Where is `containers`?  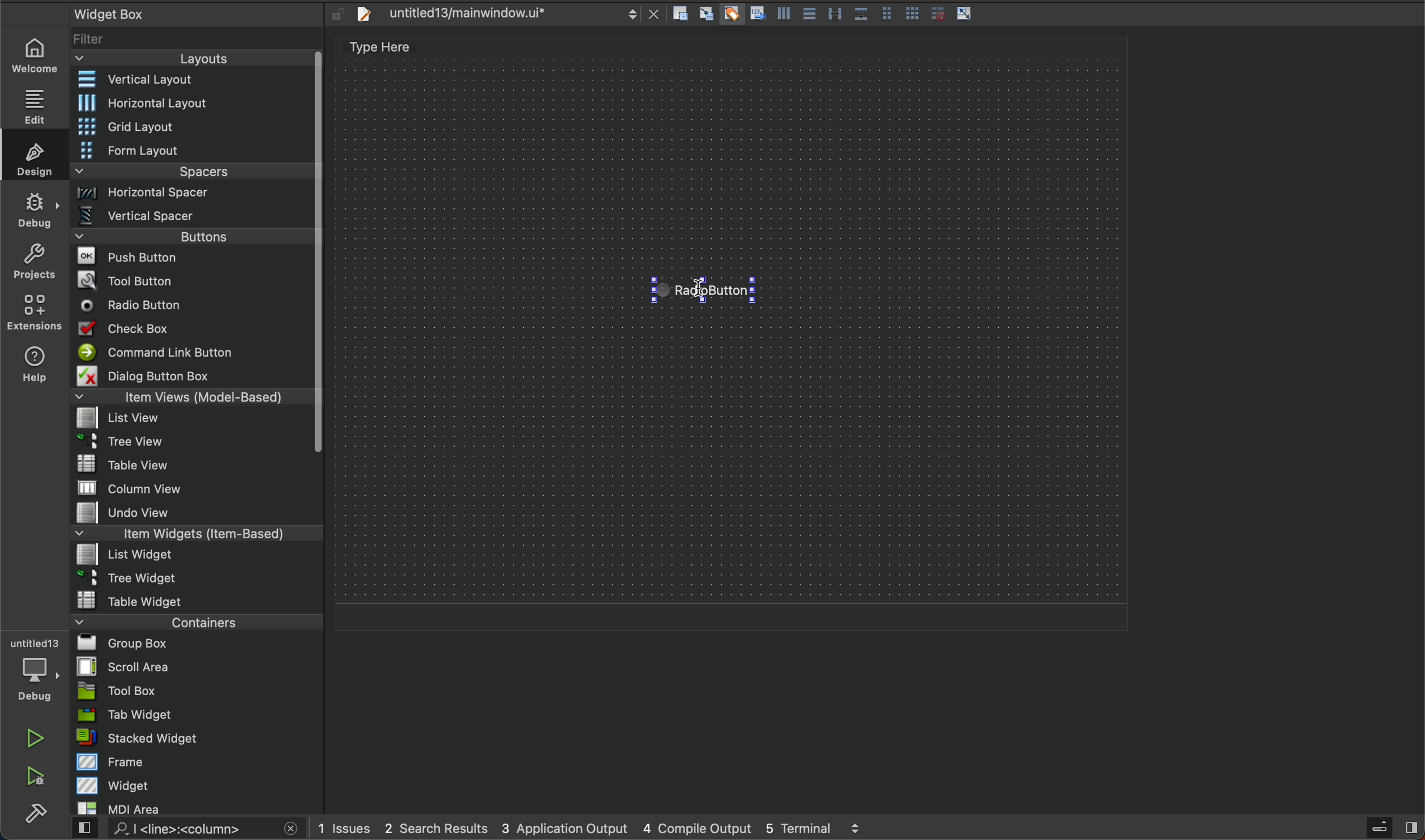
containers is located at coordinates (193, 622).